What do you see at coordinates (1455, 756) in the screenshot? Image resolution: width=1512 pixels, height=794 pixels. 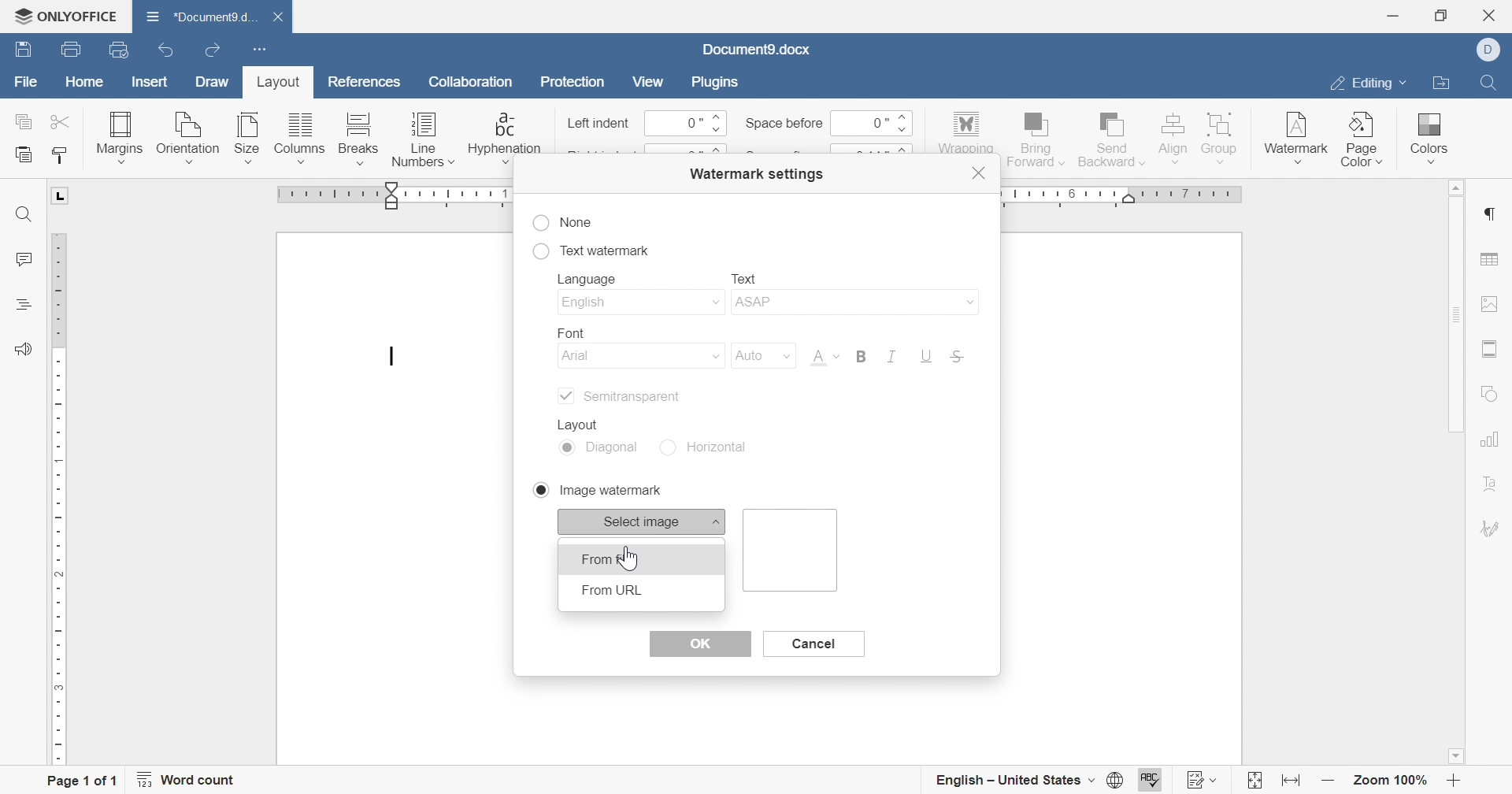 I see `scroll down` at bounding box center [1455, 756].